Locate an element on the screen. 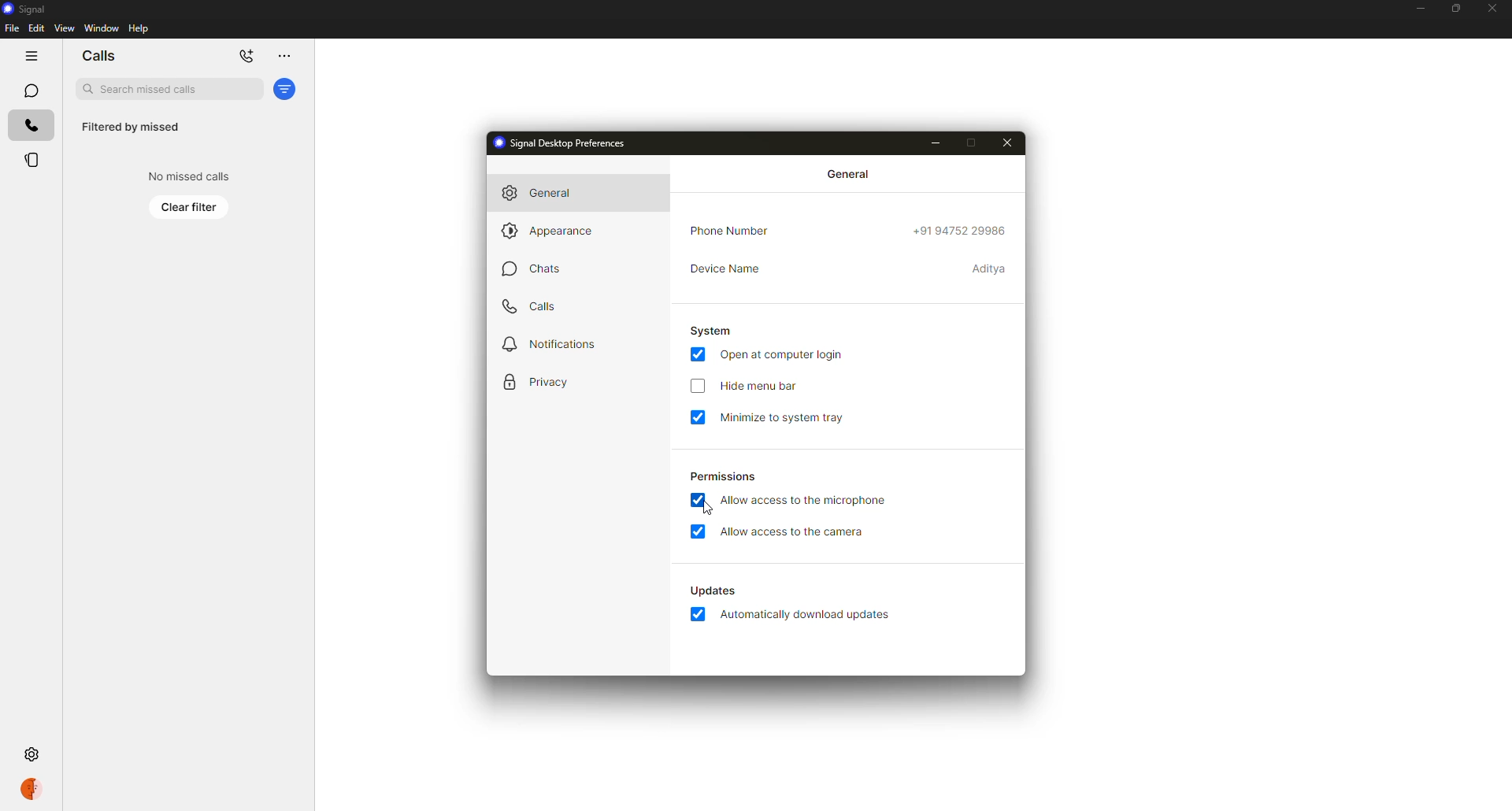 The image size is (1512, 811). more is located at coordinates (283, 56).